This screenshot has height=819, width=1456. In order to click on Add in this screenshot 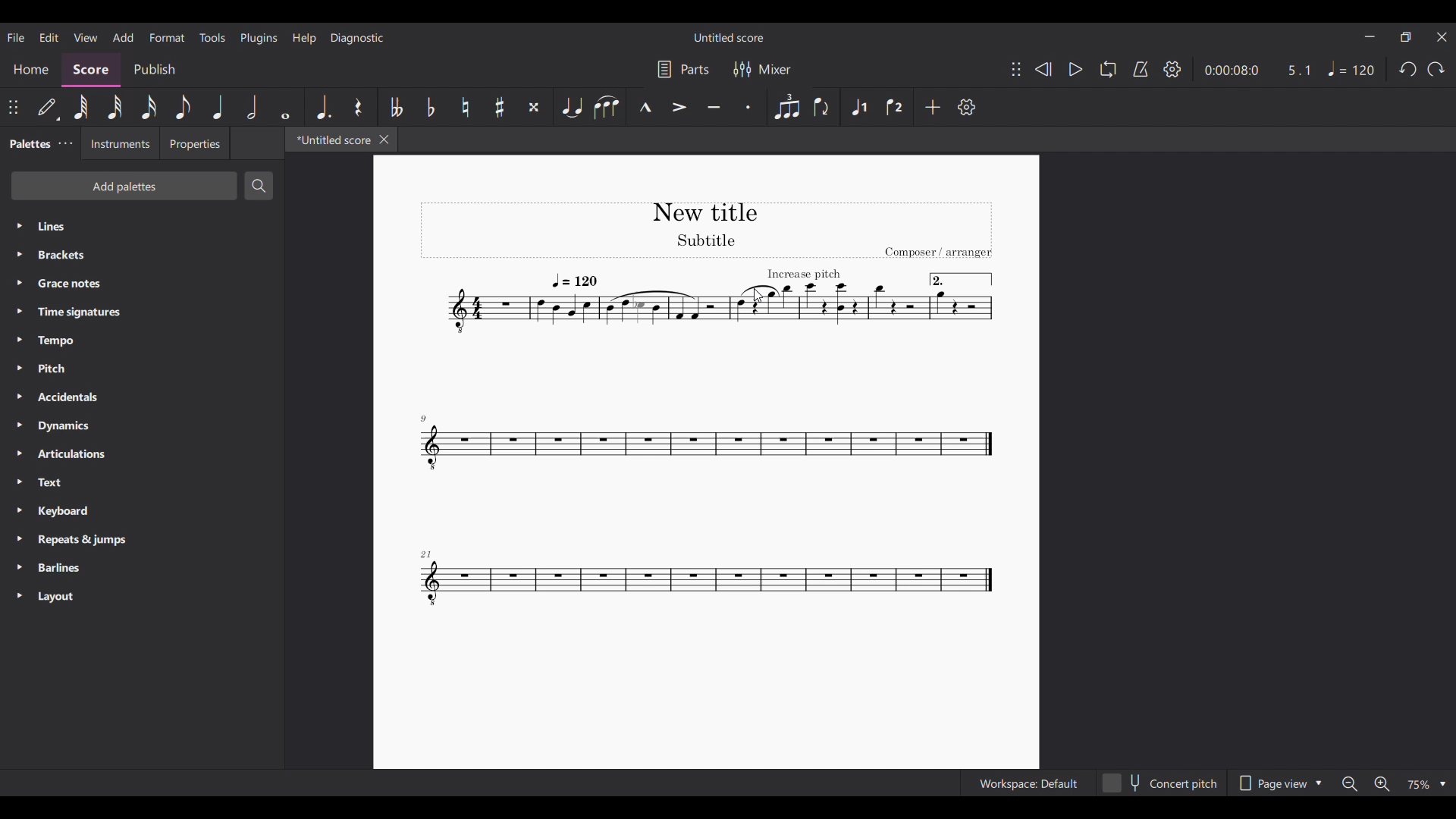, I will do `click(933, 107)`.